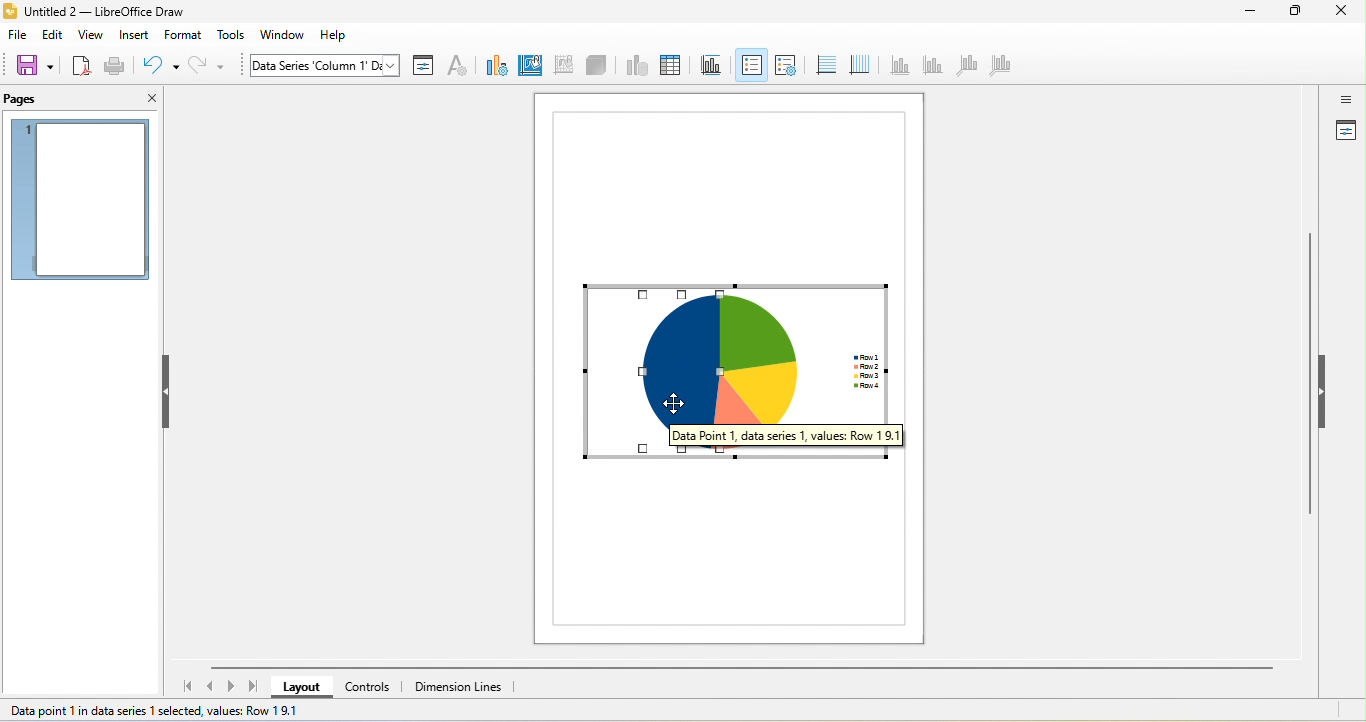 The width and height of the screenshot is (1366, 722). Describe the element at coordinates (17, 36) in the screenshot. I see `file` at that location.